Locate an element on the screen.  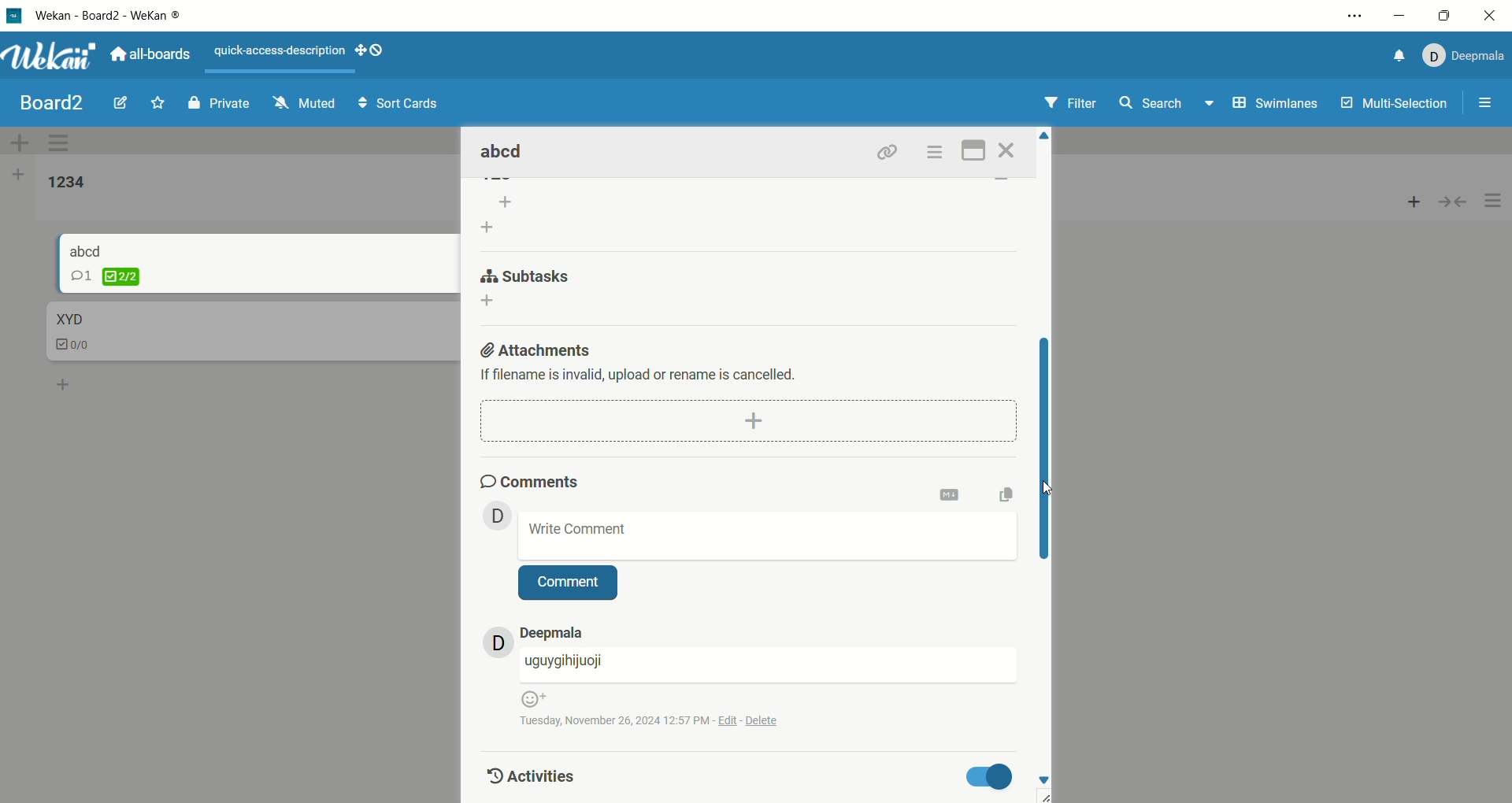
subtask is located at coordinates (528, 273).